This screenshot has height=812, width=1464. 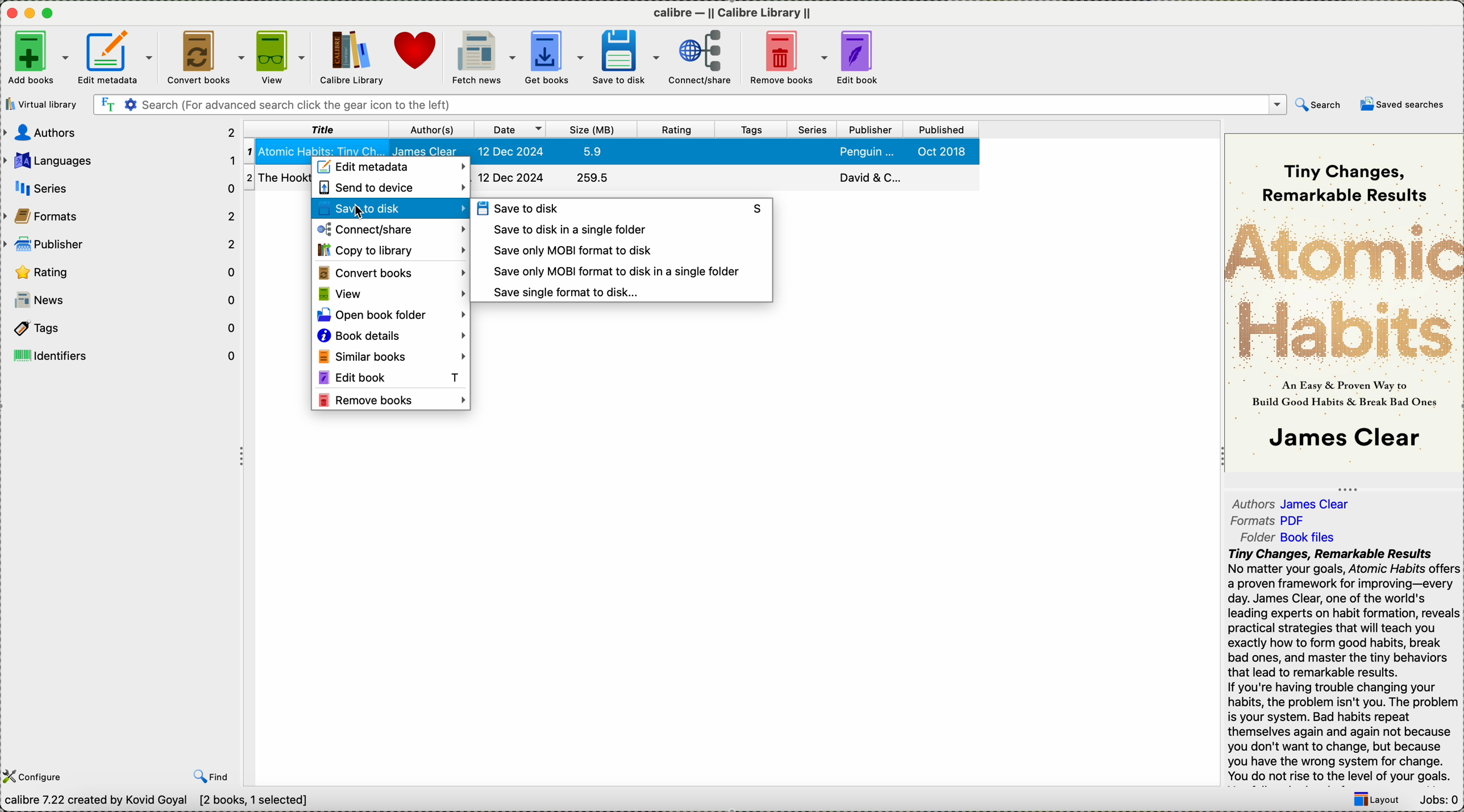 What do you see at coordinates (622, 208) in the screenshot?
I see `save to disk` at bounding box center [622, 208].